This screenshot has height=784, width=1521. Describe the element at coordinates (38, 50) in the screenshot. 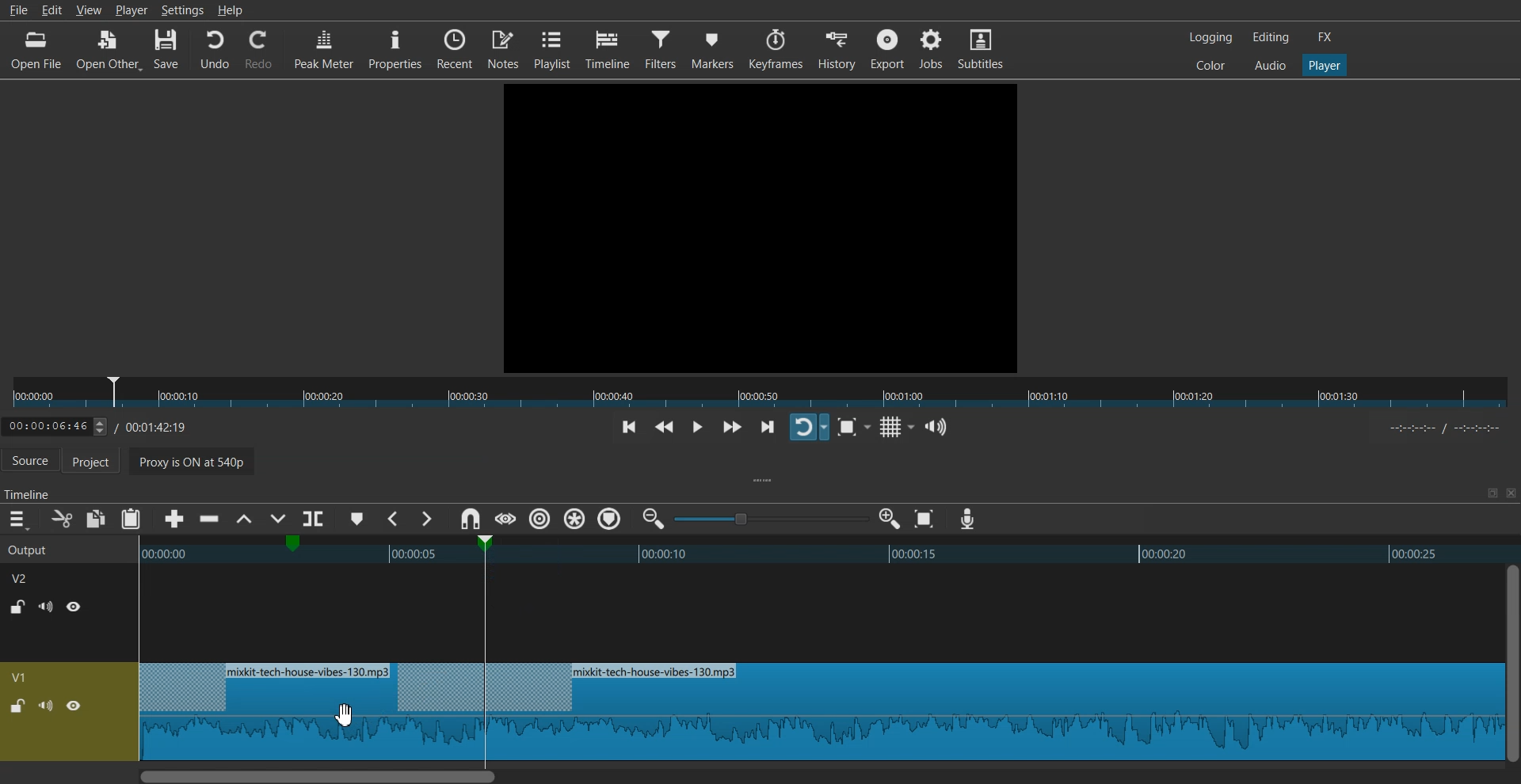

I see `Open File` at that location.